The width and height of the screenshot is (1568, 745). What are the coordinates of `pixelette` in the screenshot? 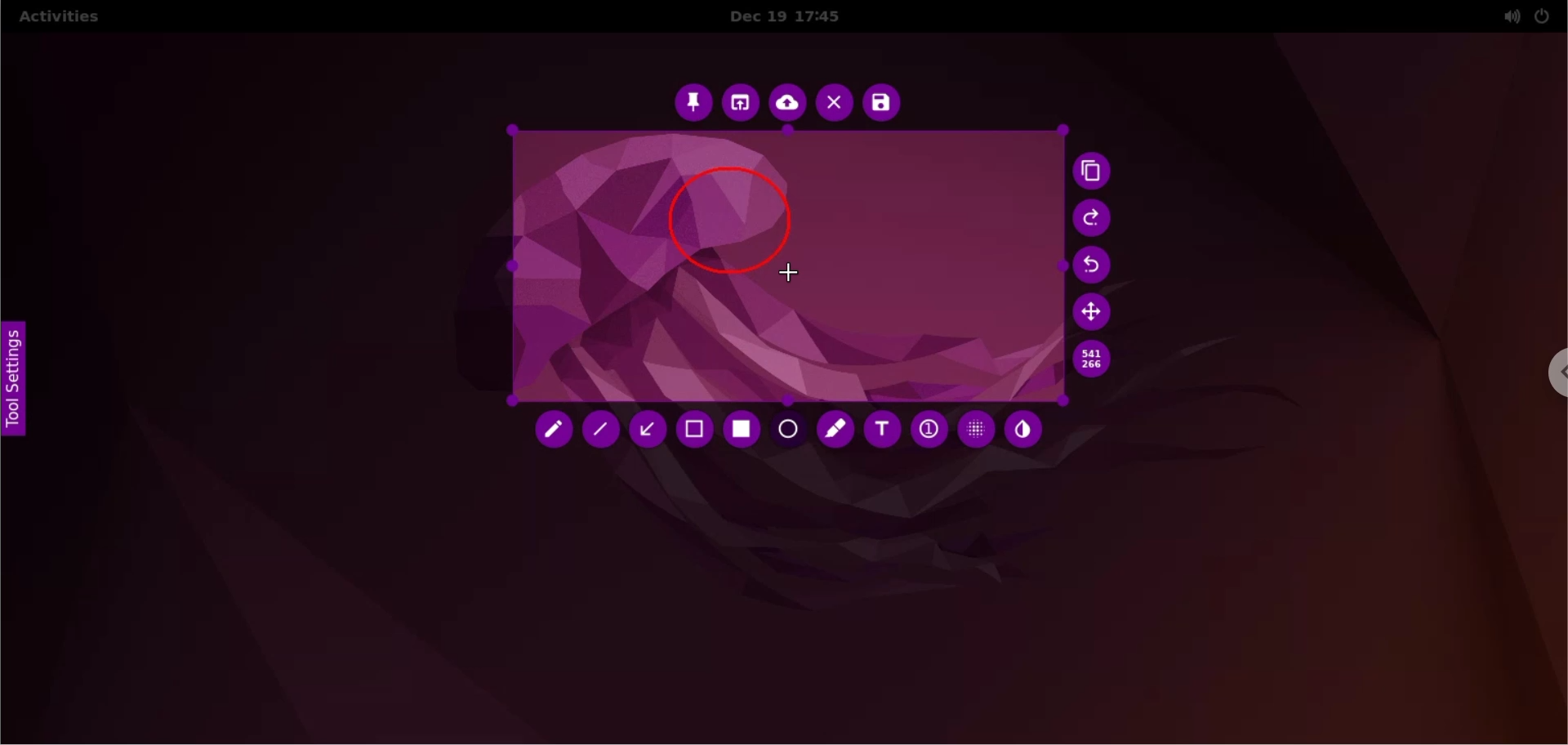 It's located at (976, 428).